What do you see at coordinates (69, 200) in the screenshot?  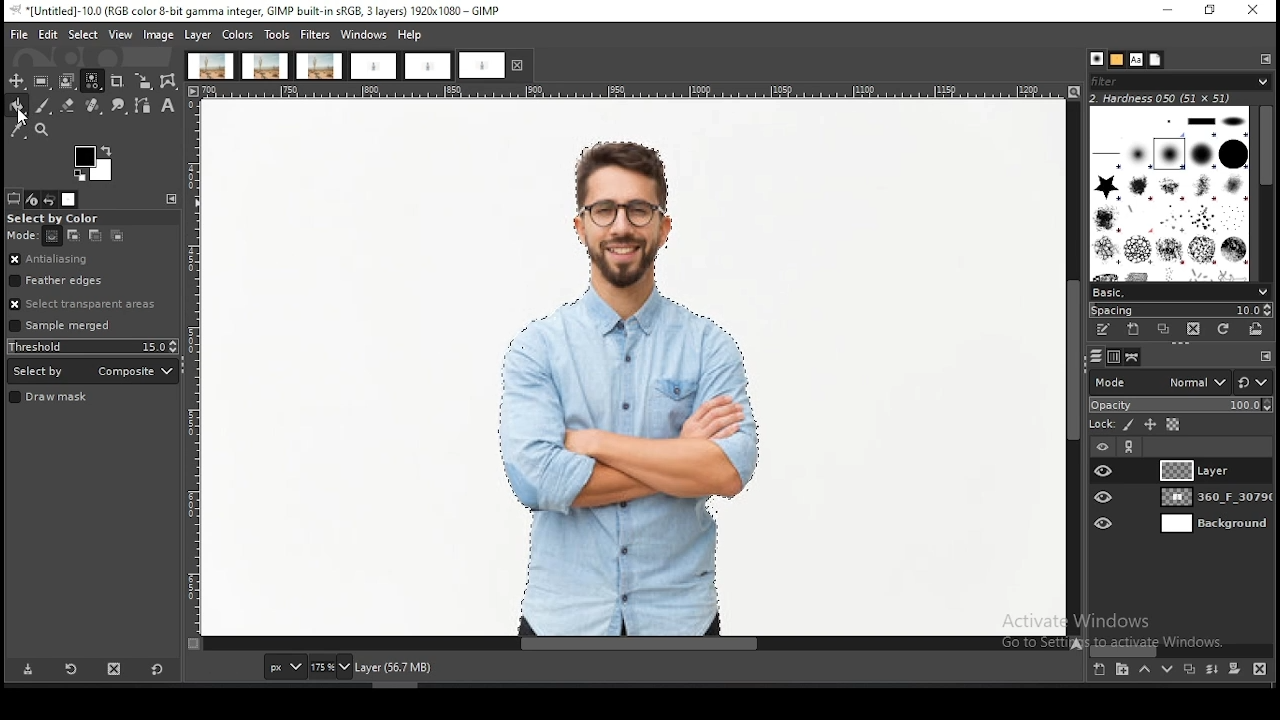 I see `images` at bounding box center [69, 200].